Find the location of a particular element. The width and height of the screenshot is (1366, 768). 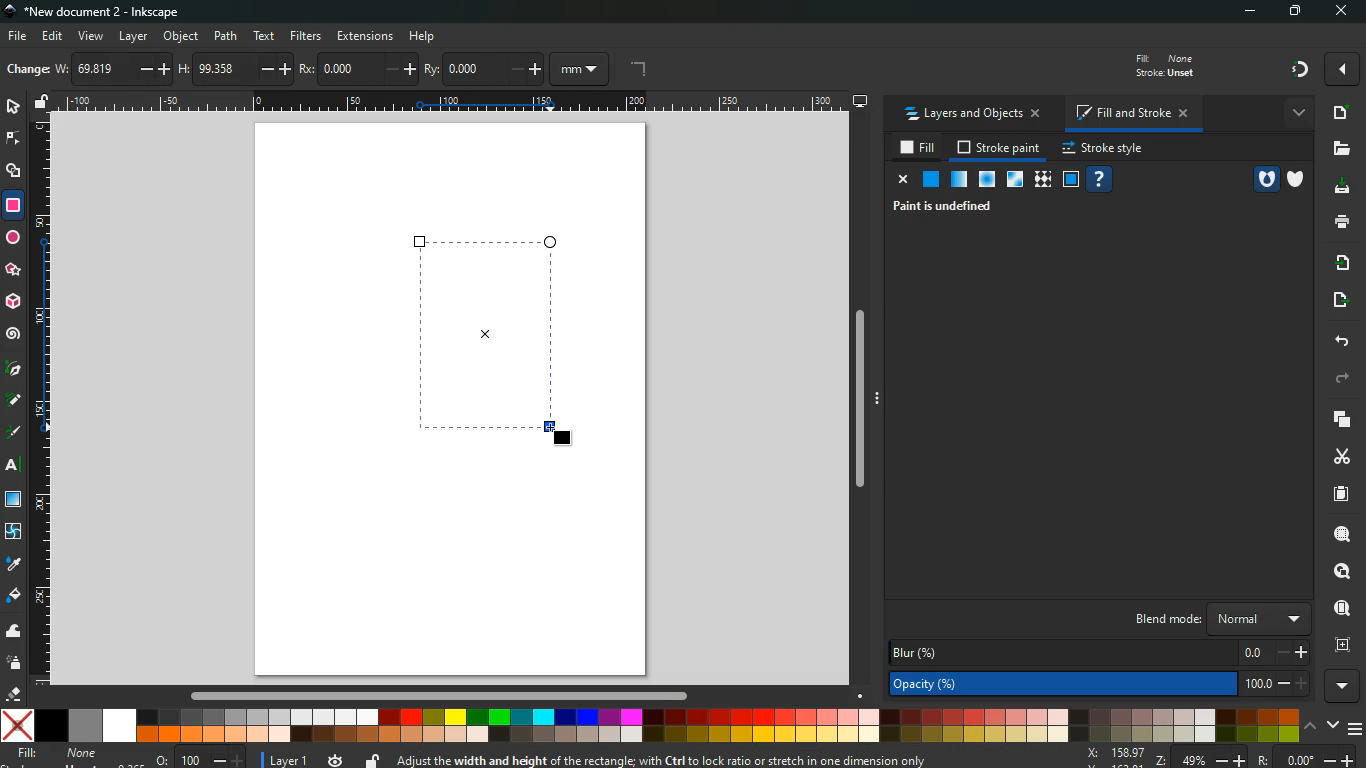

paint is modified is located at coordinates (945, 208).